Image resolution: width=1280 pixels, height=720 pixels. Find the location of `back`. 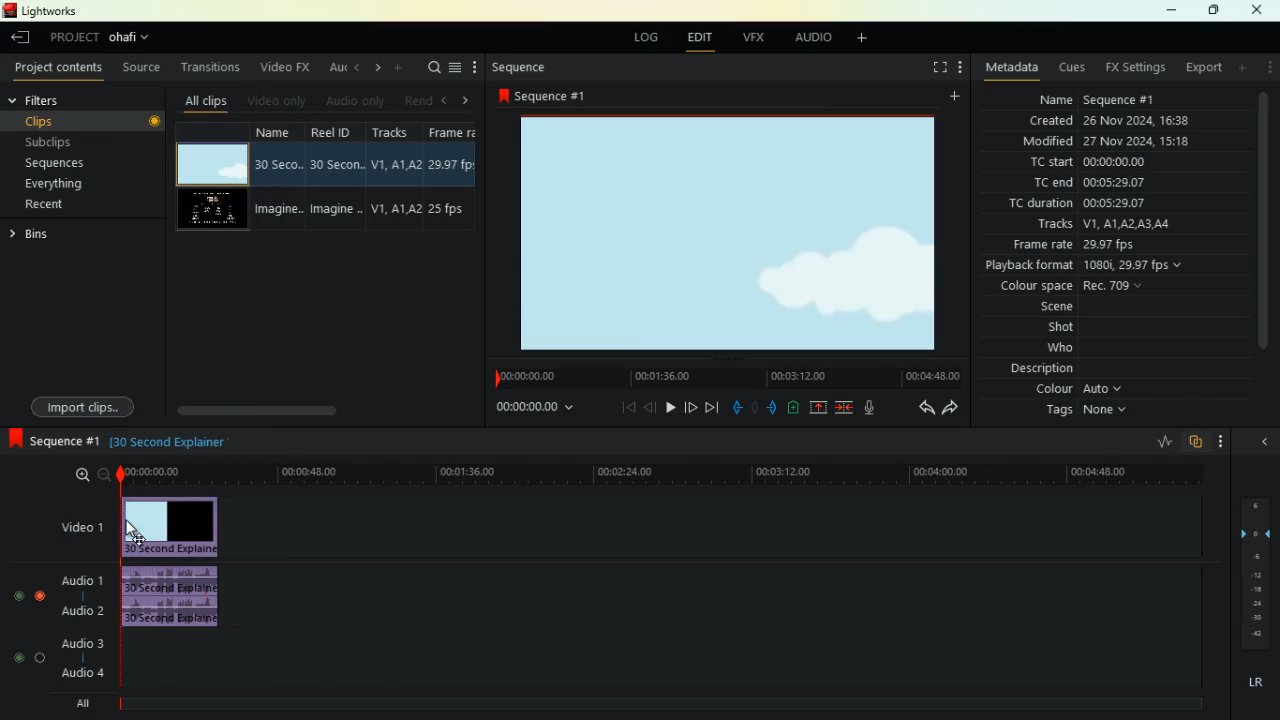

back is located at coordinates (650, 407).